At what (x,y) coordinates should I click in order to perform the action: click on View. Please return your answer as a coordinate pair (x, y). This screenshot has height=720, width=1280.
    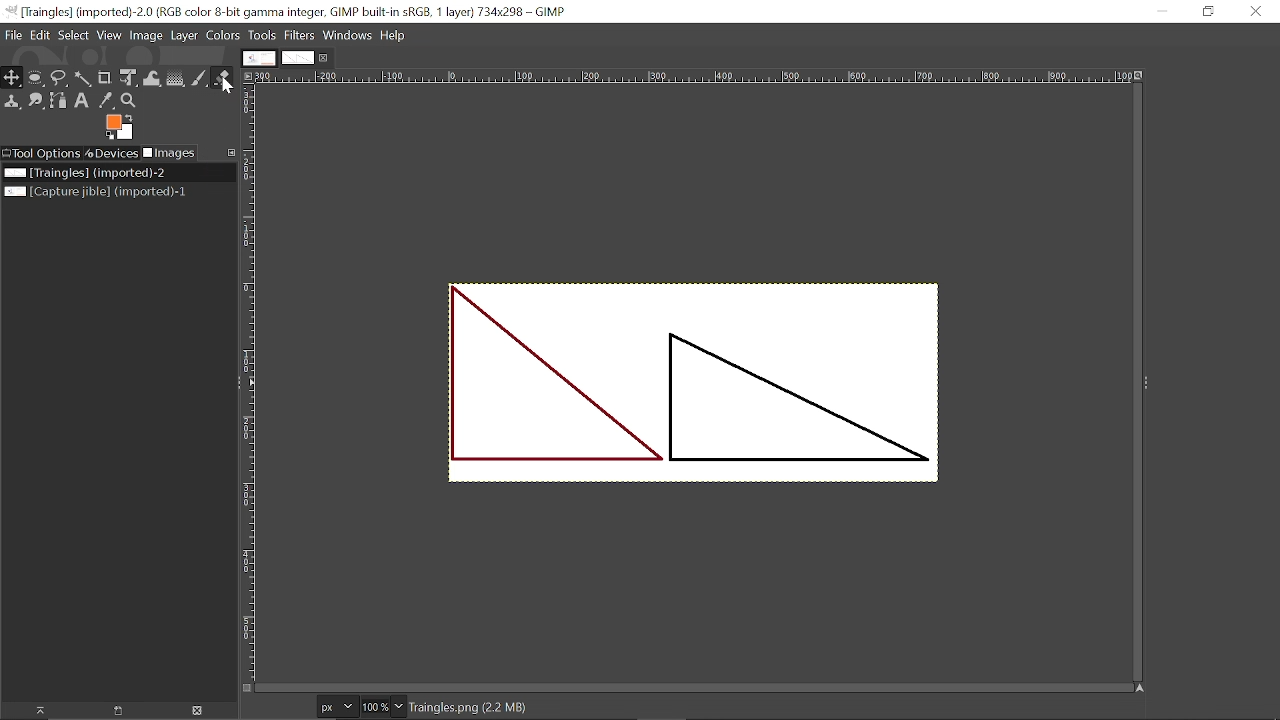
    Looking at the image, I should click on (108, 35).